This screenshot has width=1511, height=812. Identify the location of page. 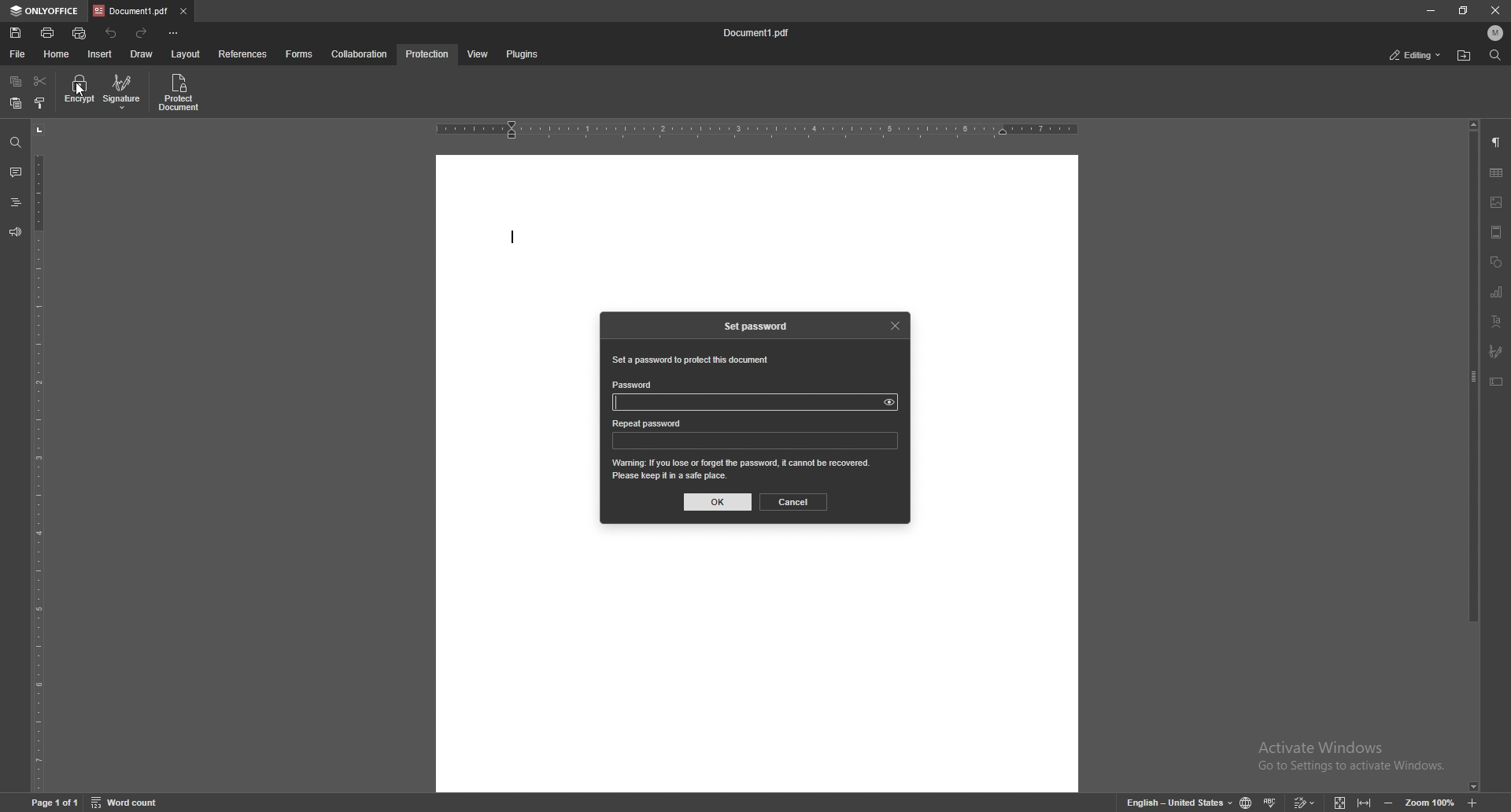
(54, 800).